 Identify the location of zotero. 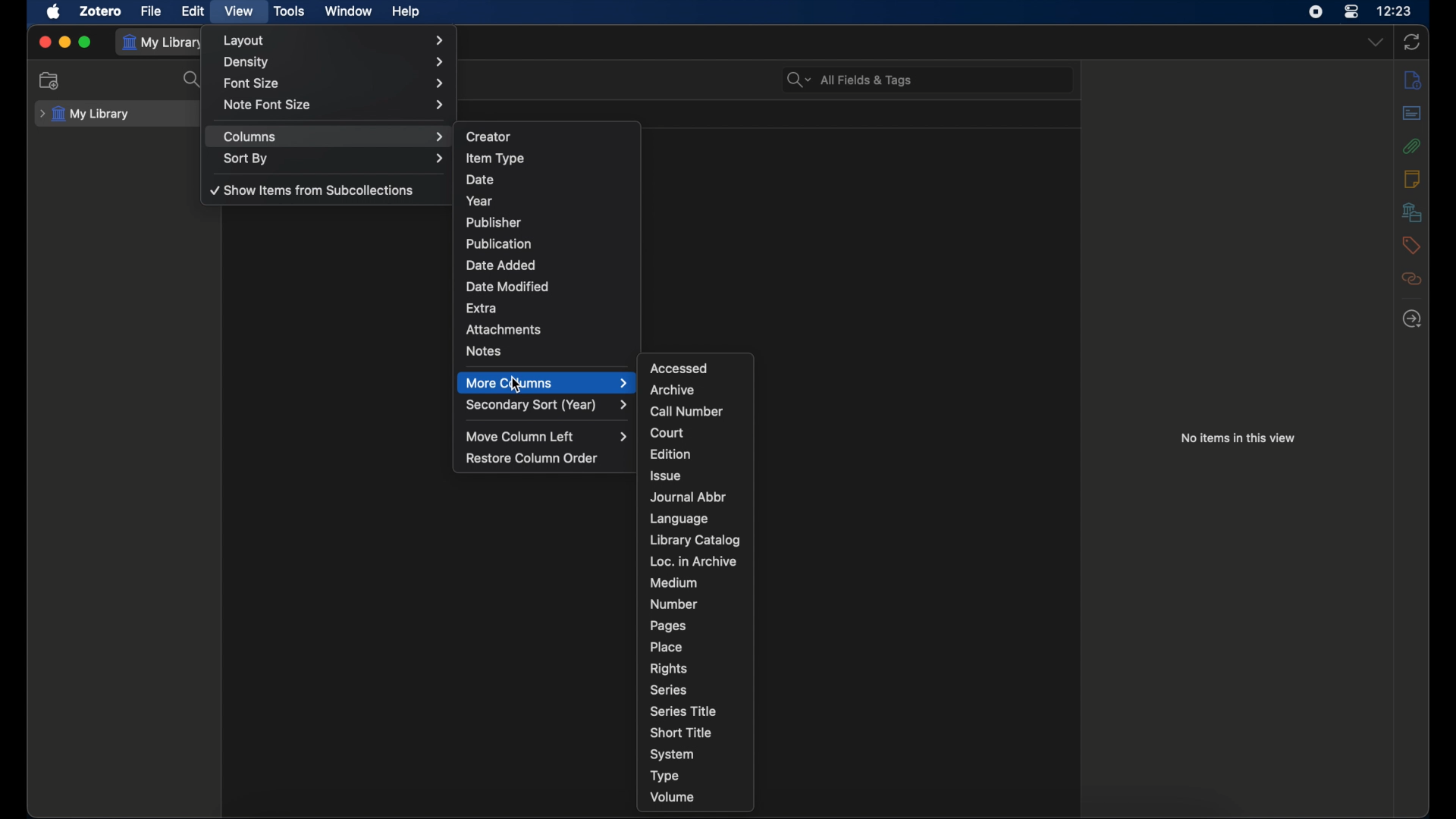
(102, 12).